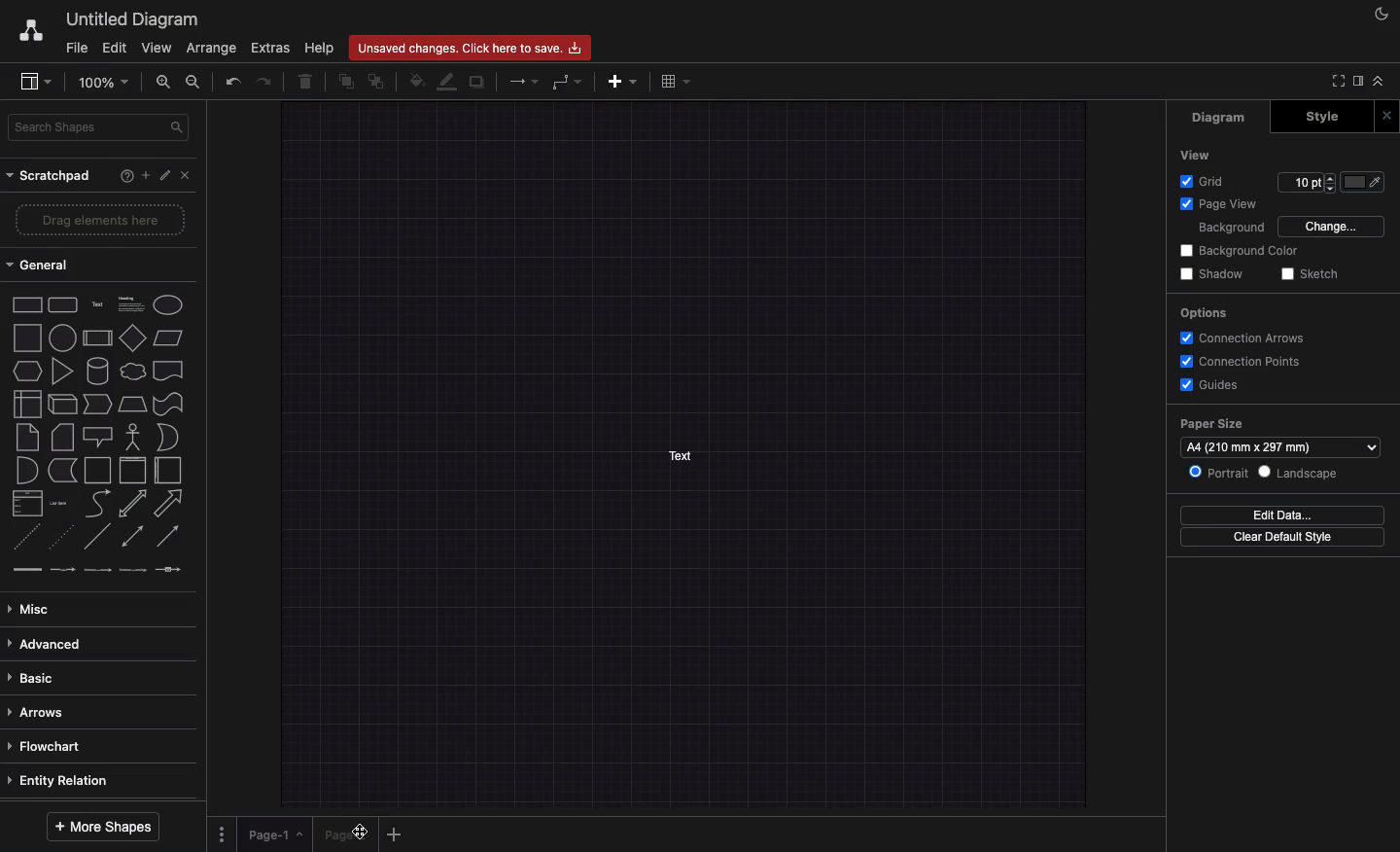  I want to click on Duplicate, so click(478, 82).